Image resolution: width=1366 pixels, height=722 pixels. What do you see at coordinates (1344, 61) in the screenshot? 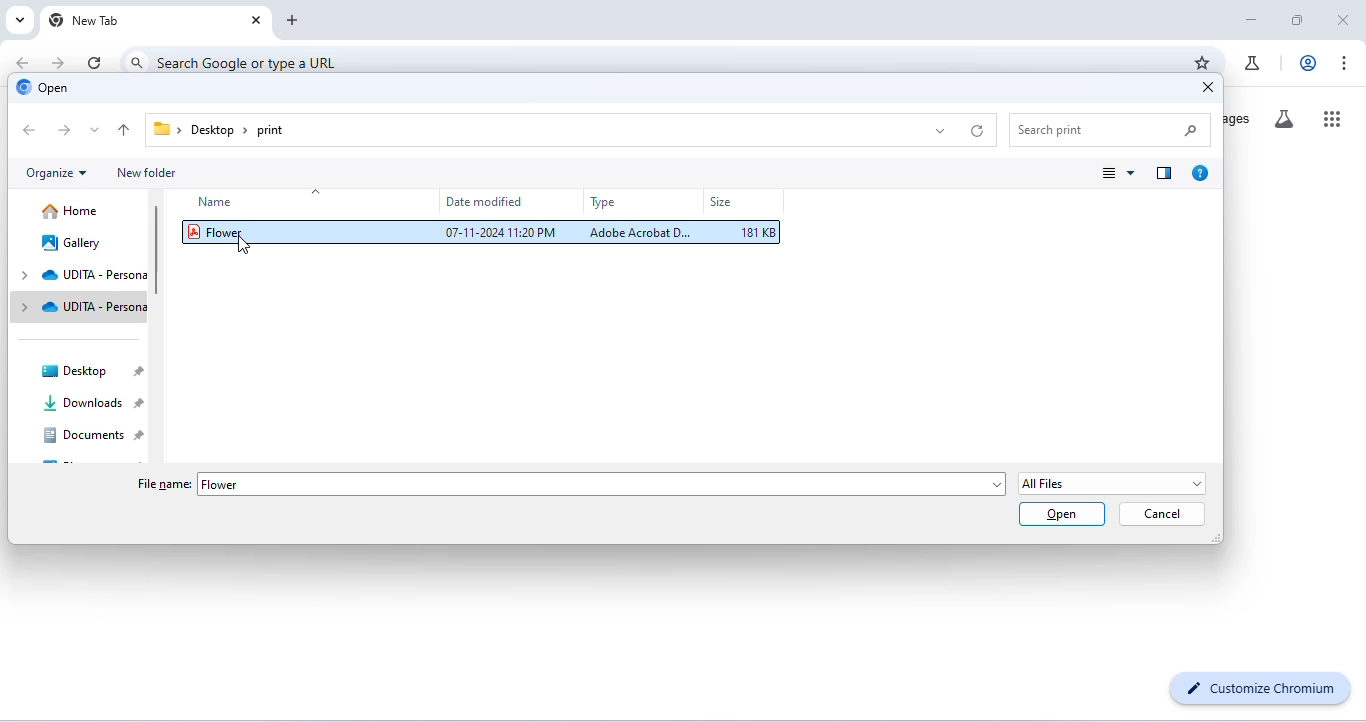
I see `customize and control chromium` at bounding box center [1344, 61].